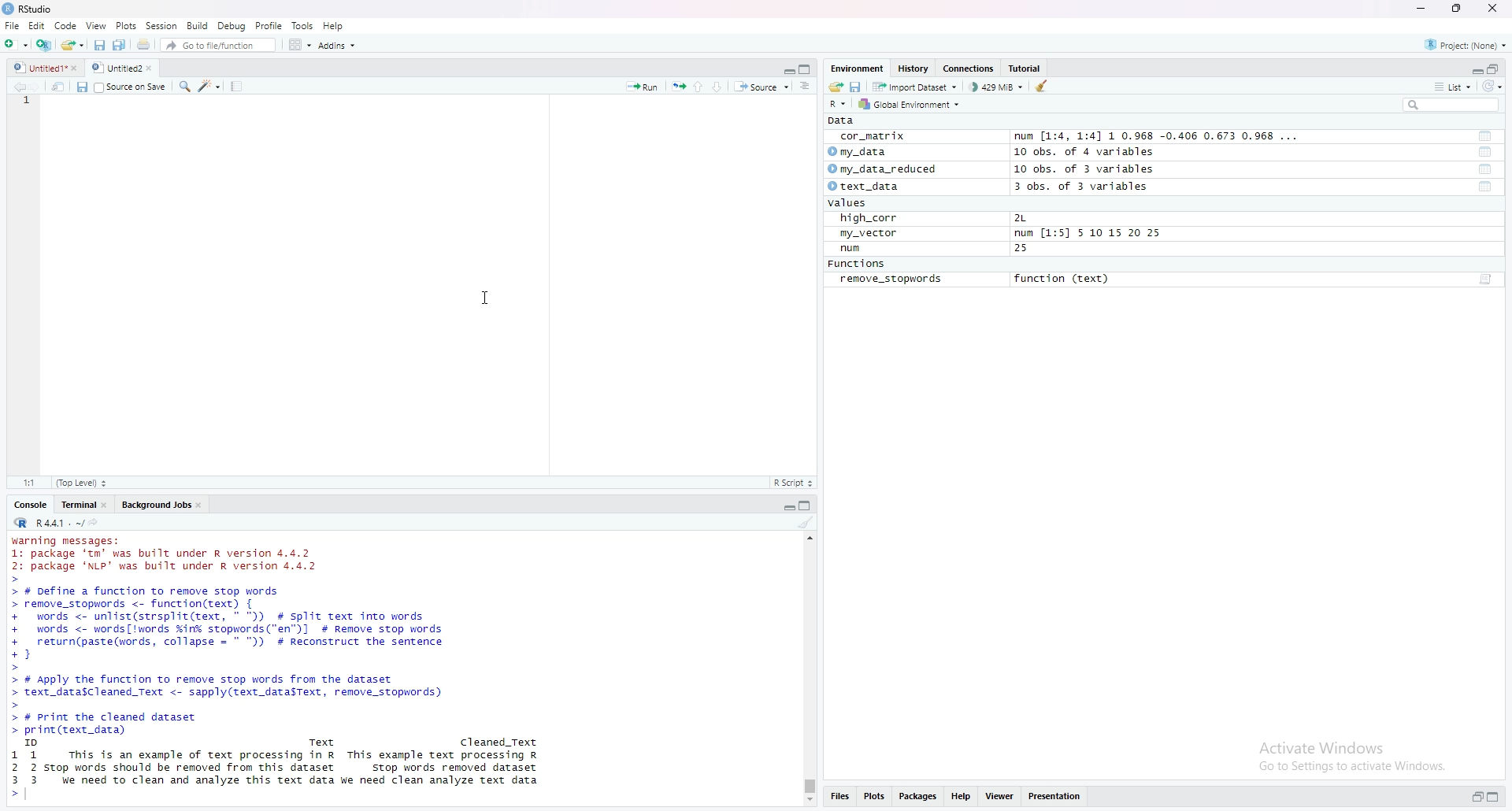 Image resolution: width=1512 pixels, height=811 pixels. I want to click on 419MB, so click(995, 88).